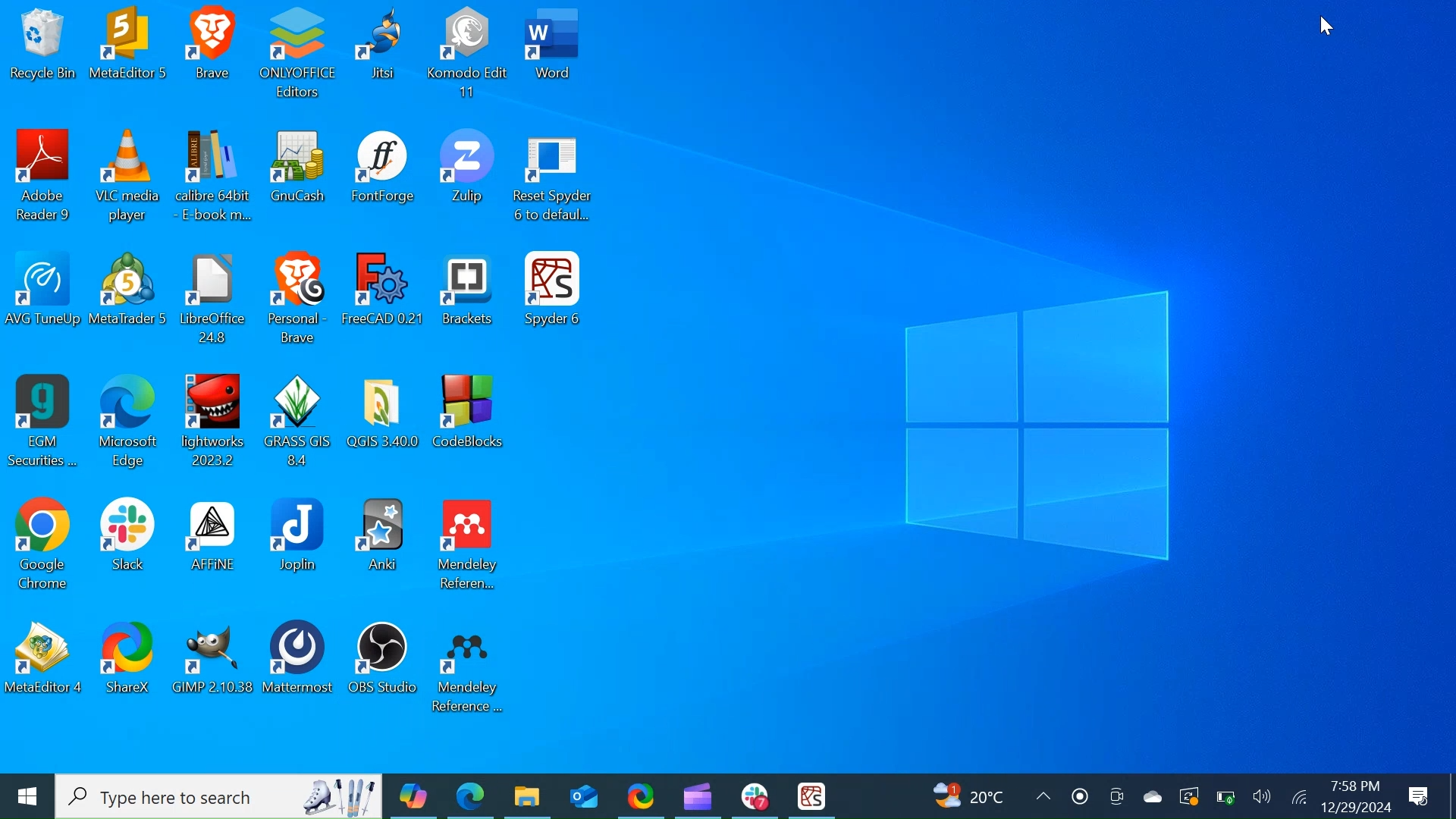 Image resolution: width=1456 pixels, height=819 pixels. What do you see at coordinates (1301, 798) in the screenshot?
I see `Internet Connectivity` at bounding box center [1301, 798].